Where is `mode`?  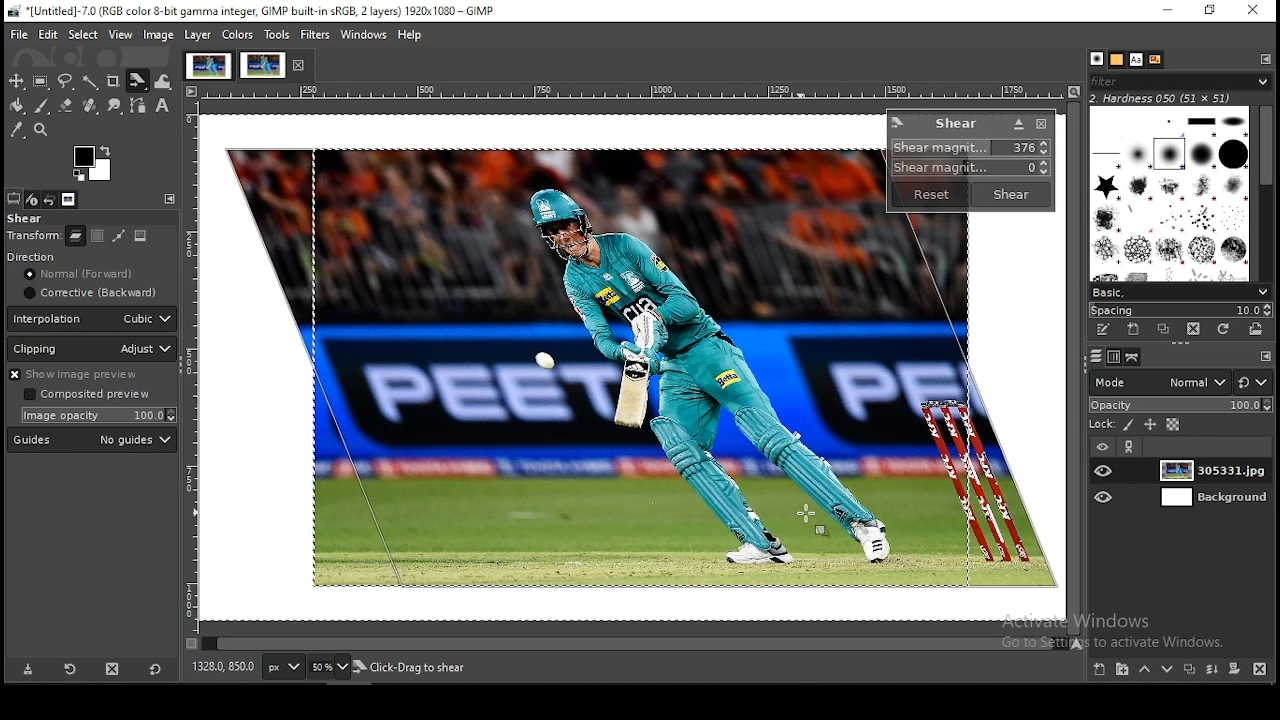
mode is located at coordinates (1158, 382).